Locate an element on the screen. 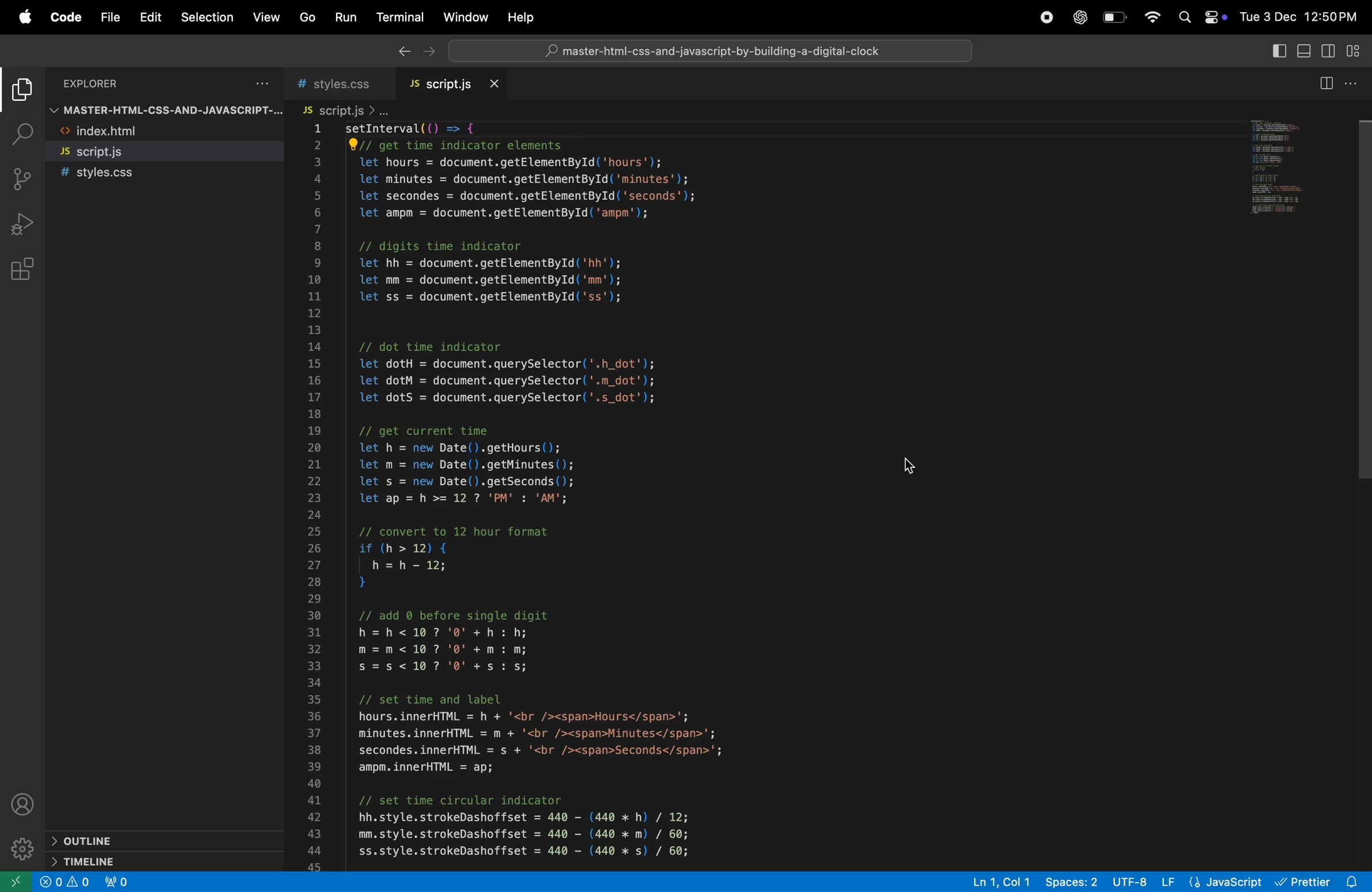 Image resolution: width=1372 pixels, height=892 pixels. toggle panel is located at coordinates (1302, 51).